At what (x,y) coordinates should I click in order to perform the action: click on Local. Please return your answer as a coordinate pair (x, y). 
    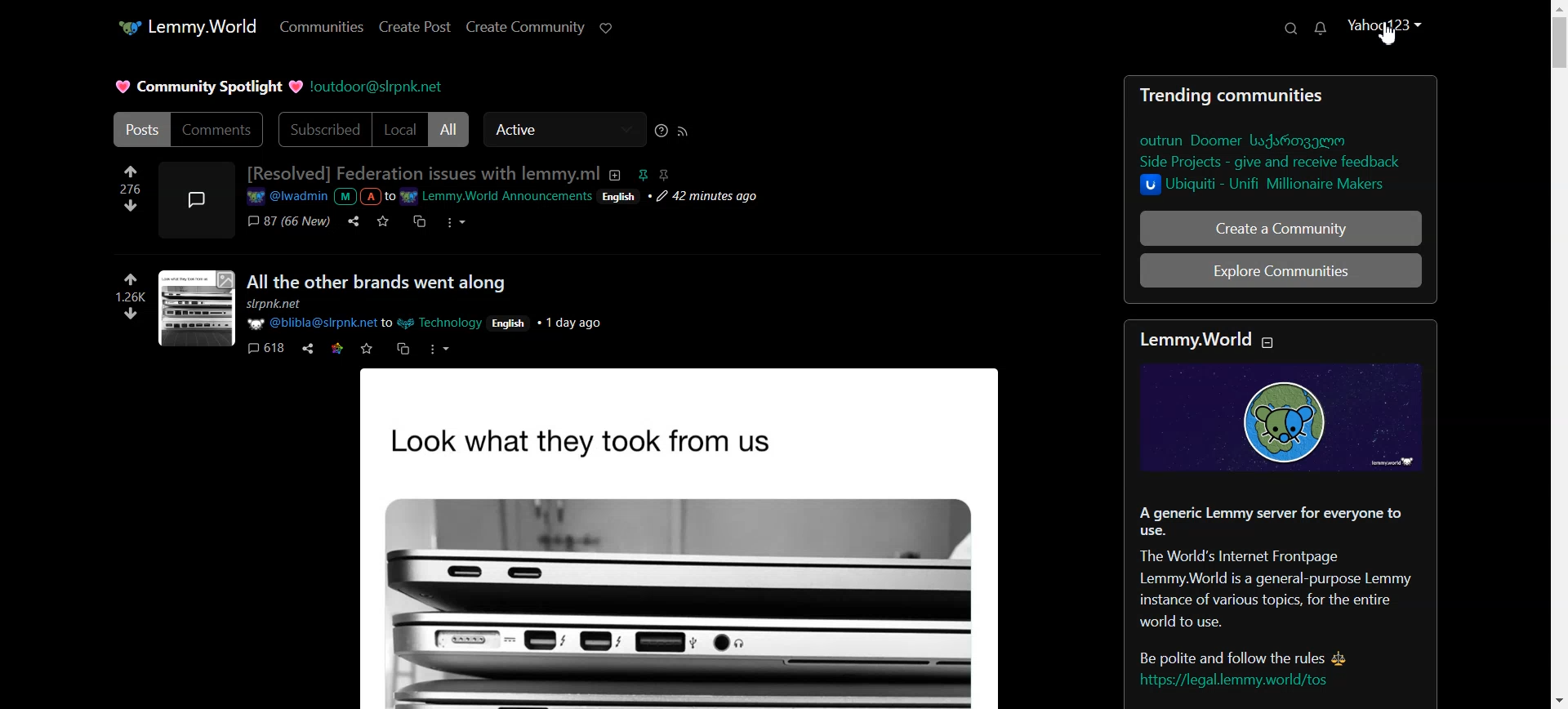
    Looking at the image, I should click on (401, 130).